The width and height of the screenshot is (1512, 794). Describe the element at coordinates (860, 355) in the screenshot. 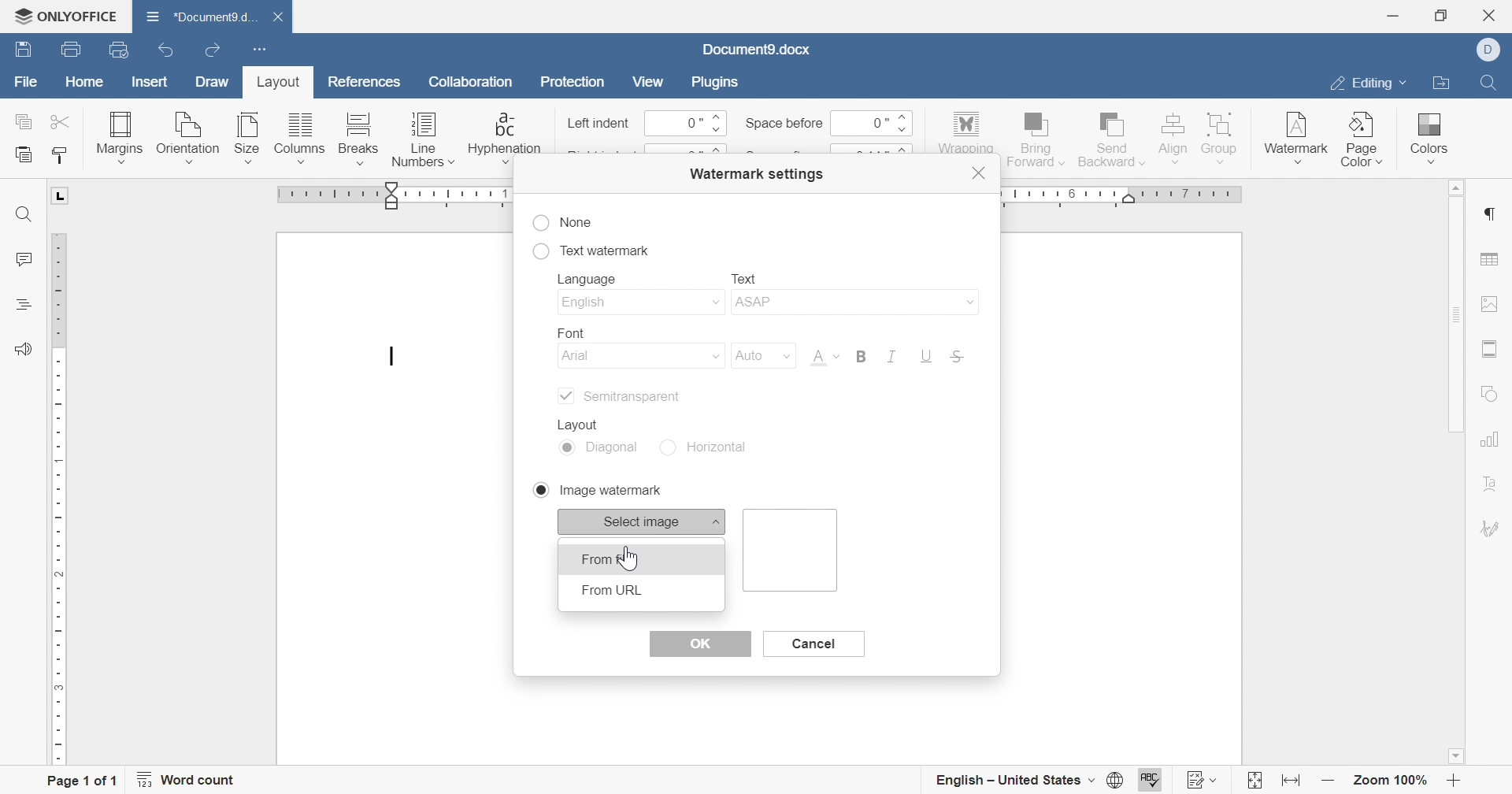

I see `bold` at that location.